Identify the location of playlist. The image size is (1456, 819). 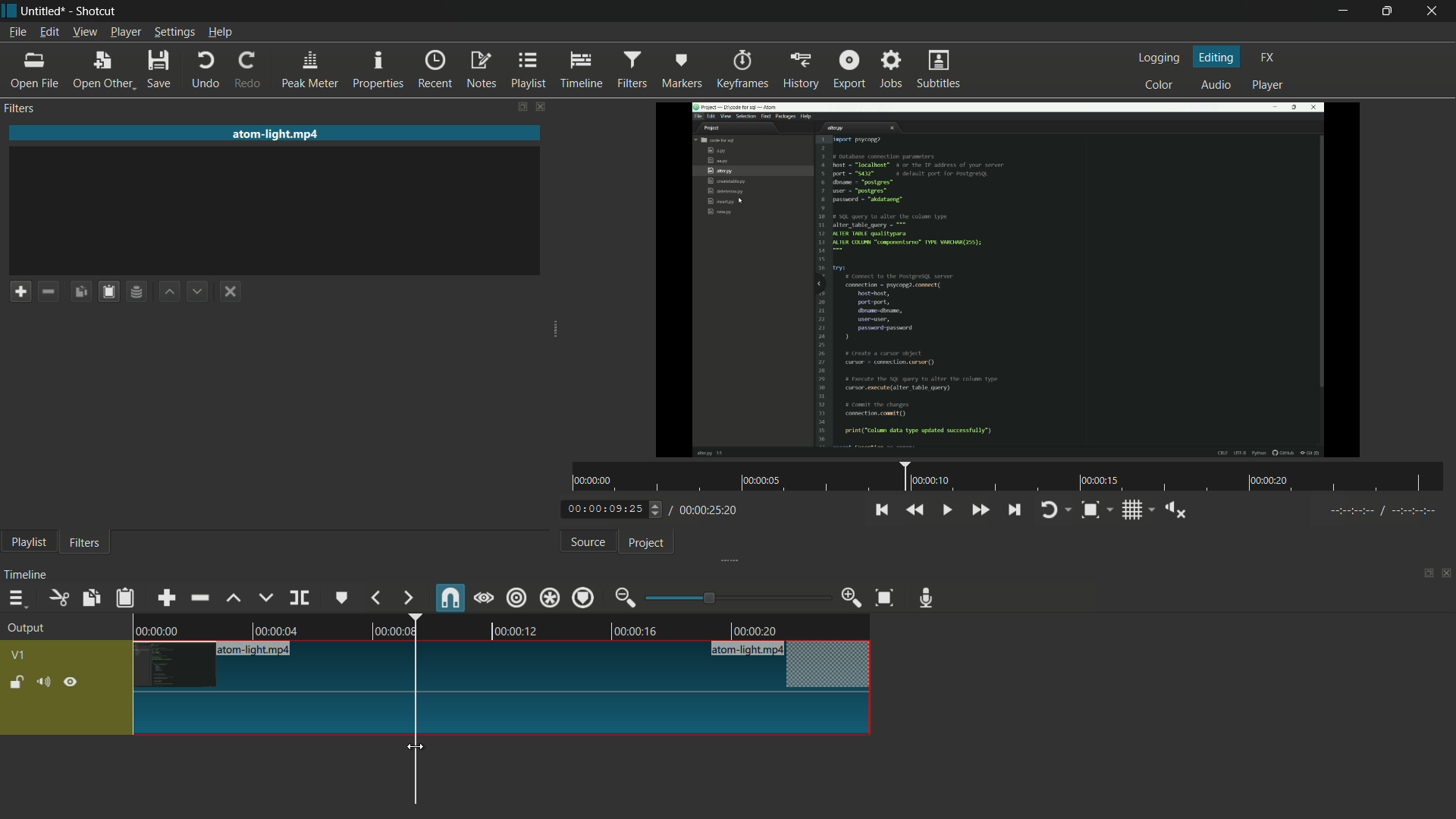
(529, 71).